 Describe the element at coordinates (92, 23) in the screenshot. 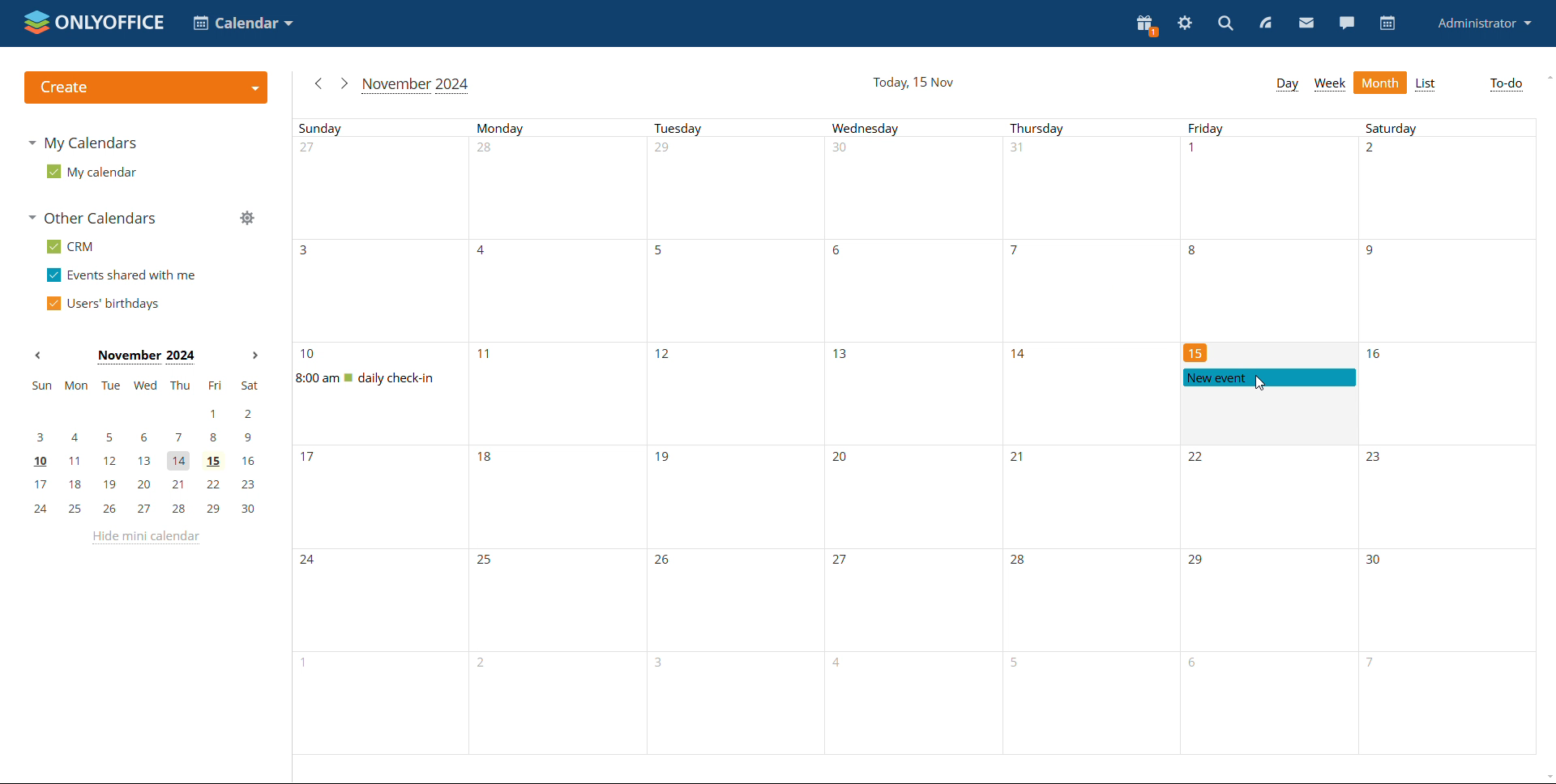

I see `logo` at that location.